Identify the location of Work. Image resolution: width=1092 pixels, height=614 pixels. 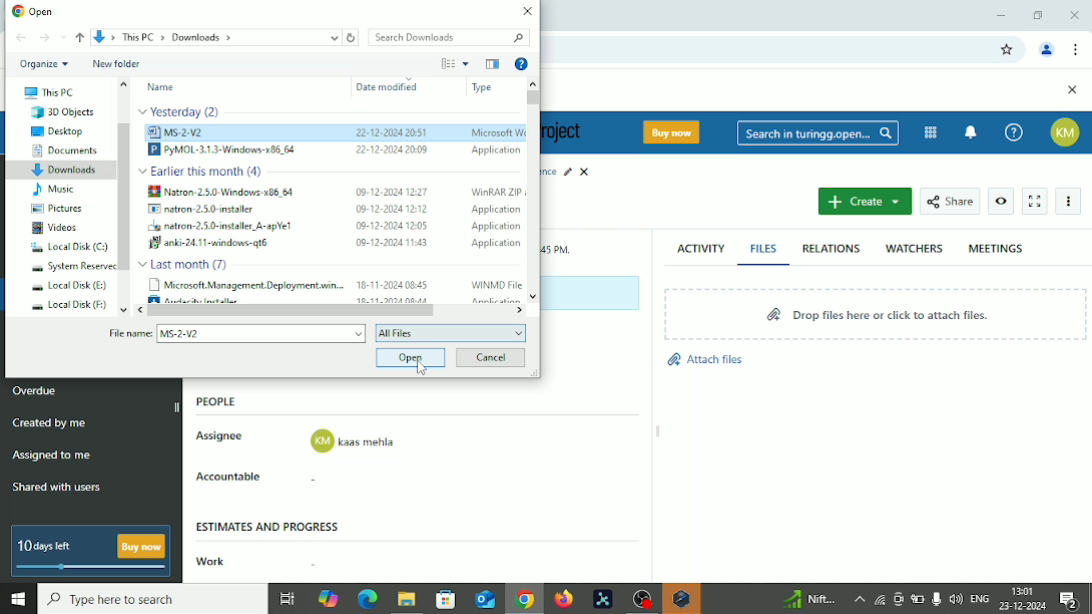
(208, 562).